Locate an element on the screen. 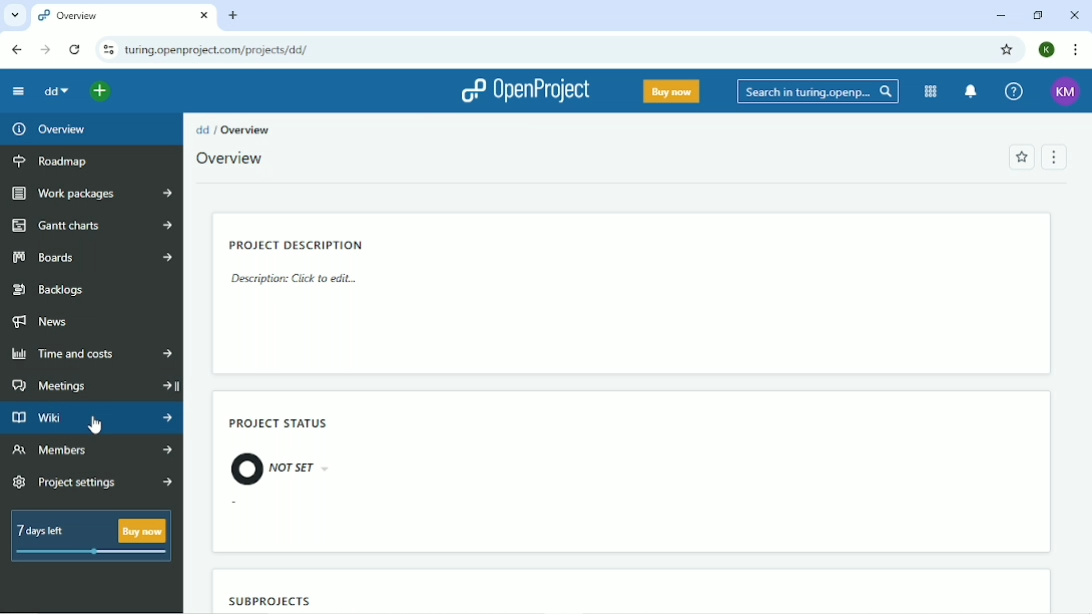 This screenshot has height=614, width=1092. Menu is located at coordinates (1052, 156).